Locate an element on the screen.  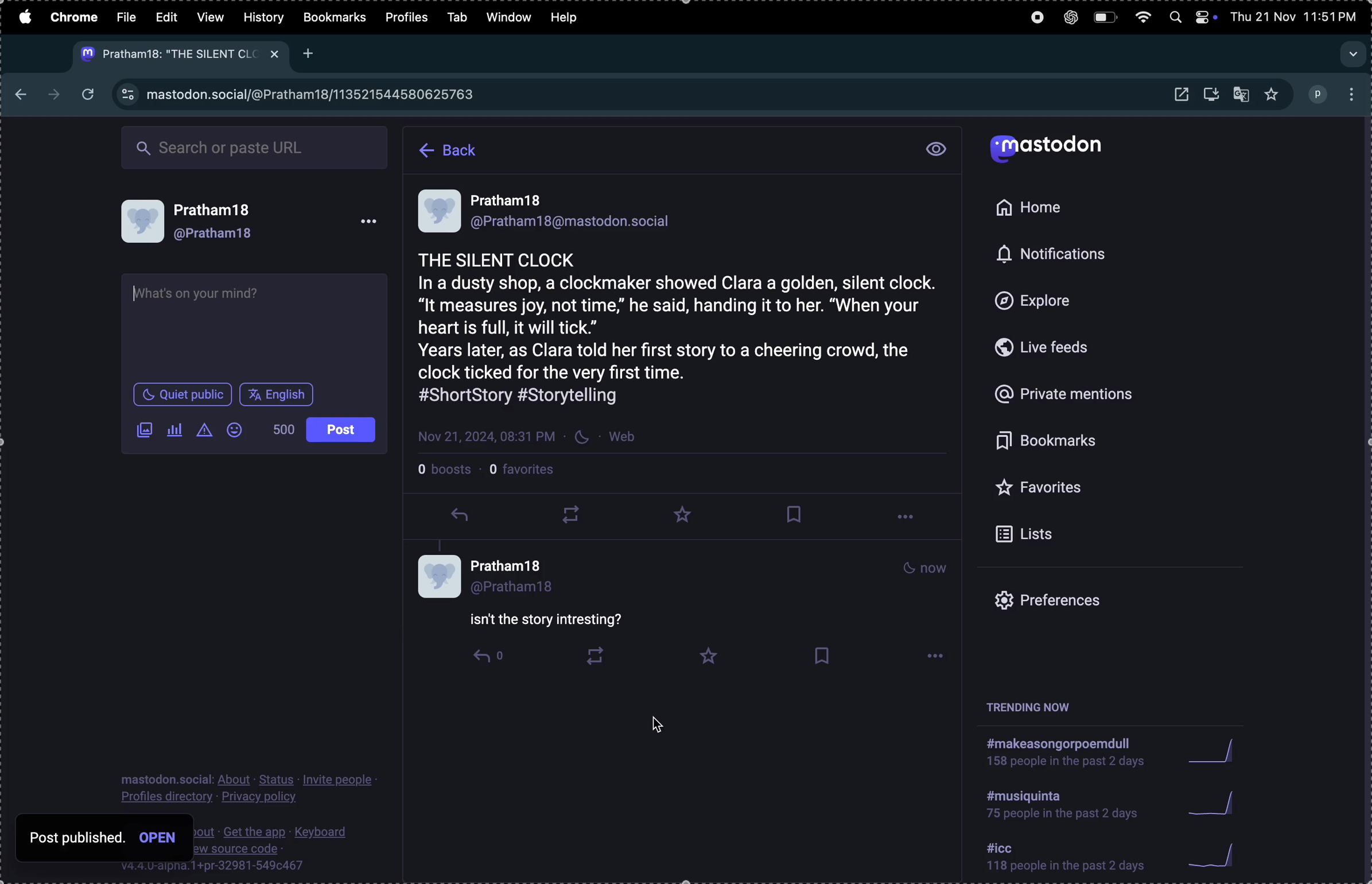
open window is located at coordinates (1179, 95).